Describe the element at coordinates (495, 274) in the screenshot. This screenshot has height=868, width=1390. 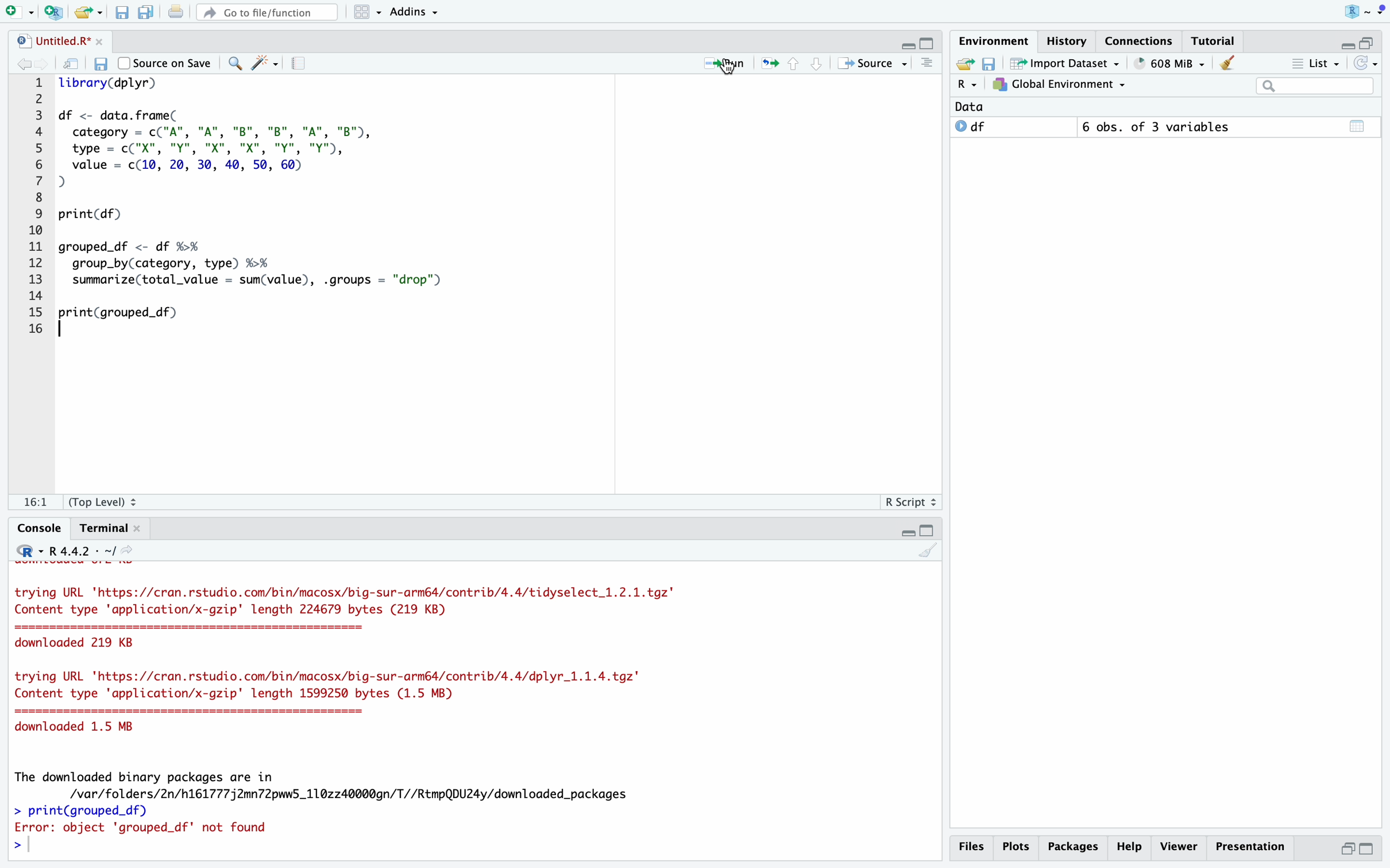
I see `library(dplyr)

df <- data. frame(
category = c("A", "A", "B", "B", "A", "B"),
type = cC"X", UY", UXT, UXT, UYU, UY),
value = c(10, 20, 30, 40, 50, 60)

d

print(df)

grouped_df <- df %>%
group_by(category, type) %>%
summarize(total_value = sum(value), .groups = "drop")

print(grouped_df)` at that location.